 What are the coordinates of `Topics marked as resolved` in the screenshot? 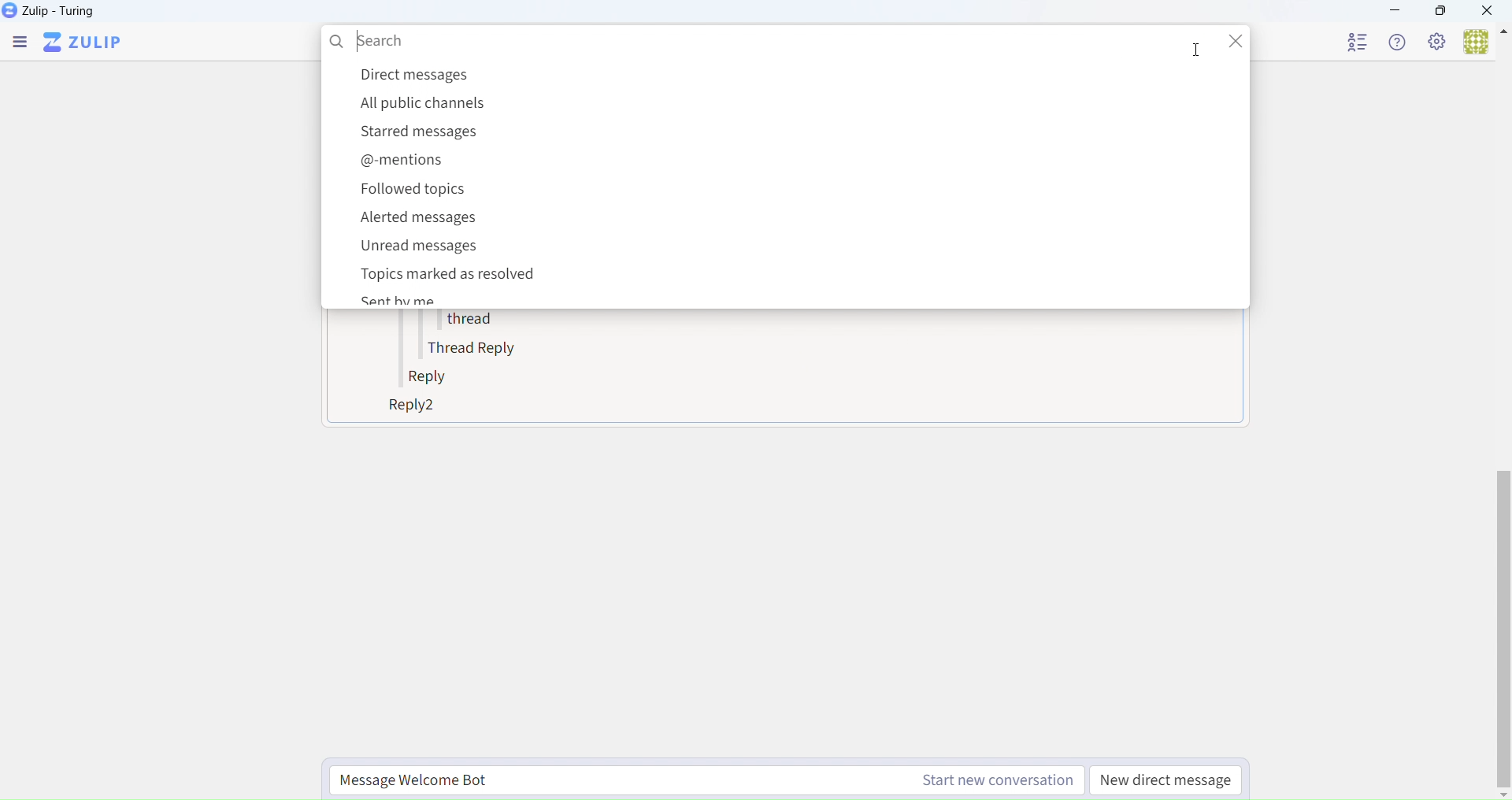 It's located at (452, 275).